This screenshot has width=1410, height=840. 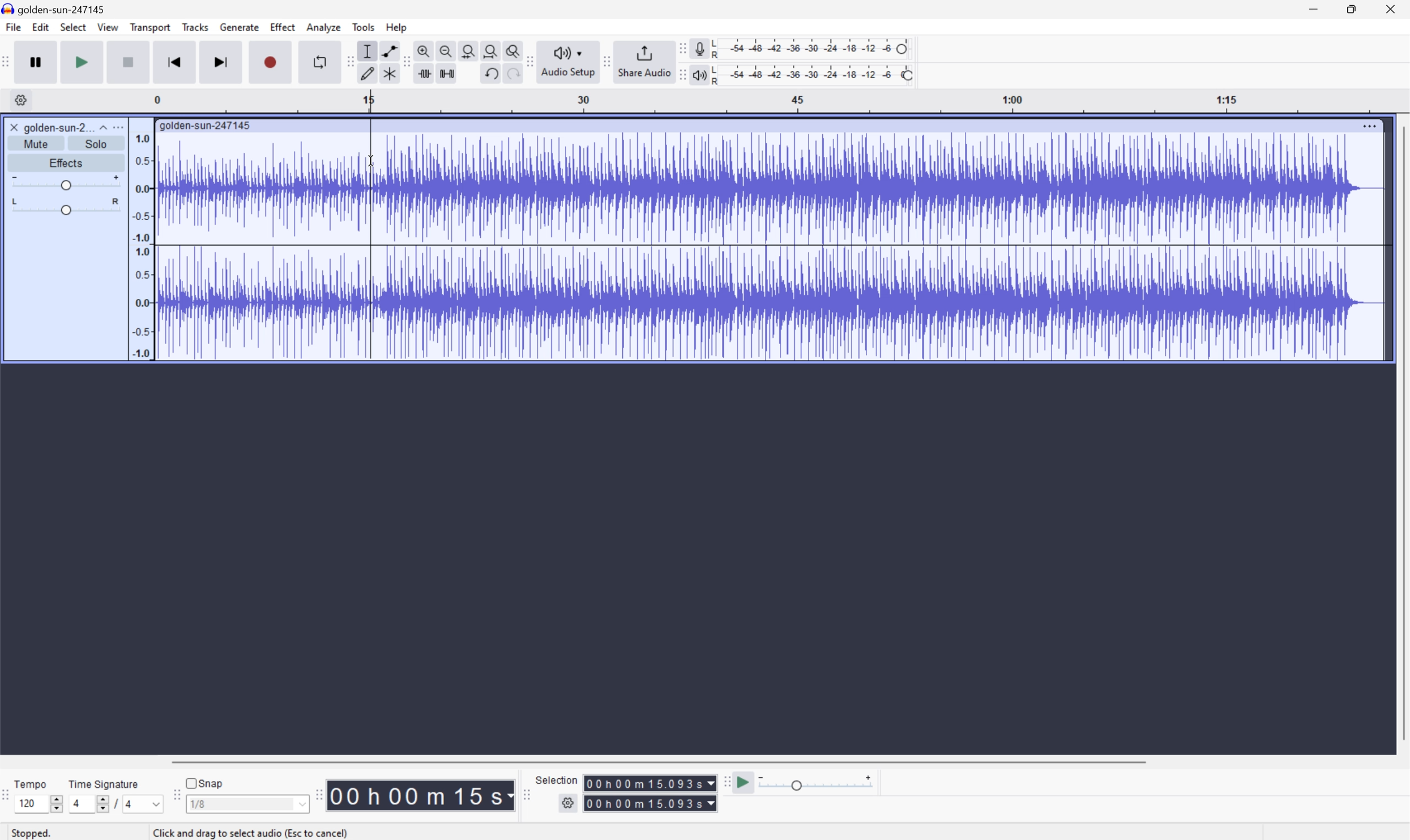 I want to click on Minimize, so click(x=1312, y=8).